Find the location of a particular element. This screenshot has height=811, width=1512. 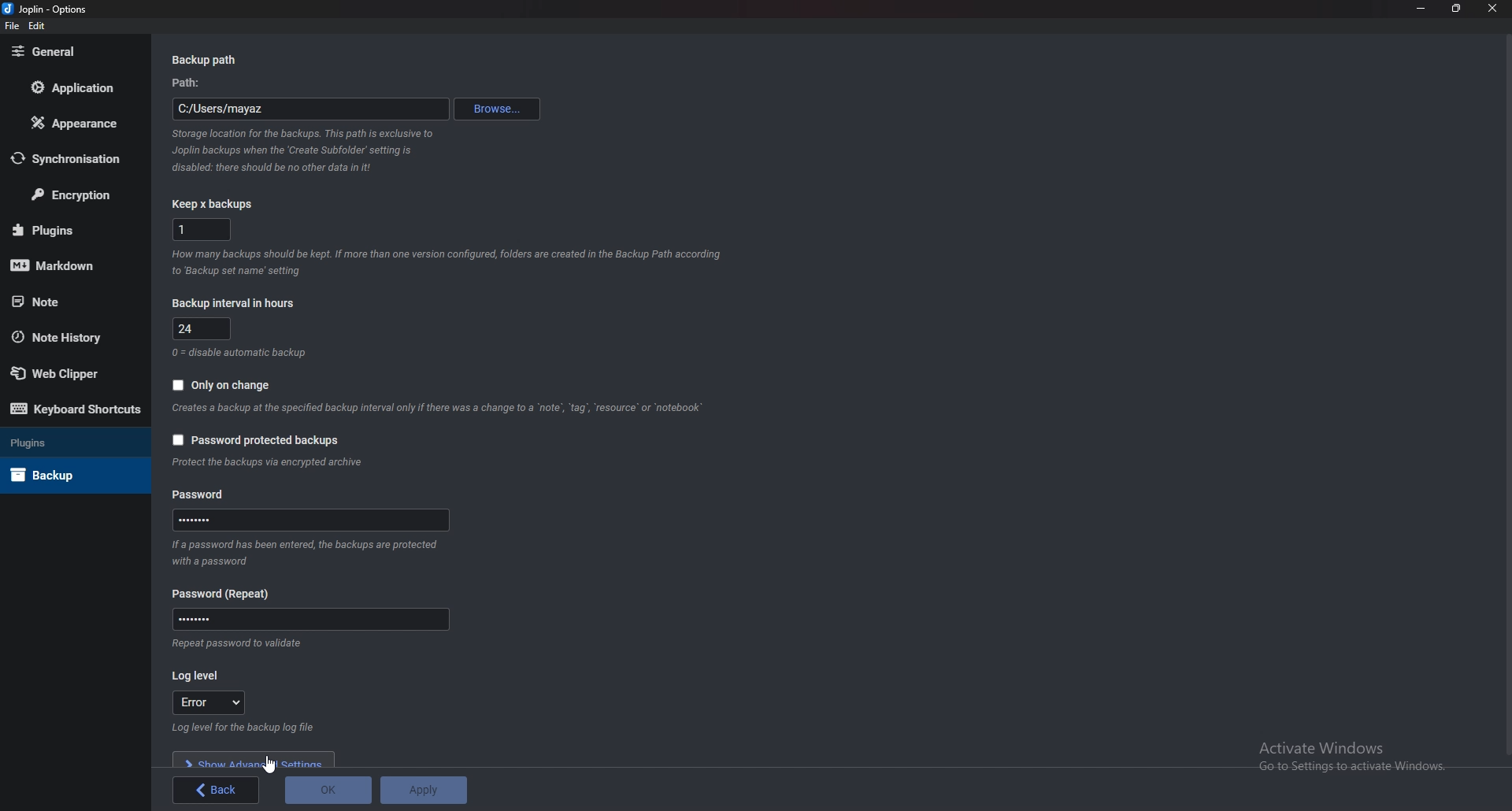

Info on number of backups is located at coordinates (449, 262).